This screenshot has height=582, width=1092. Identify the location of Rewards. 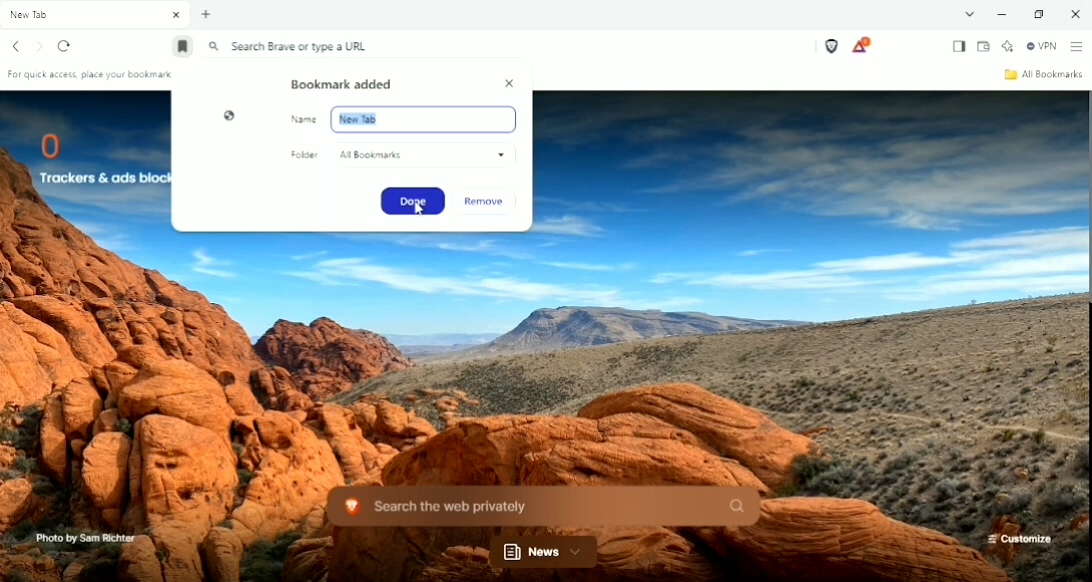
(861, 45).